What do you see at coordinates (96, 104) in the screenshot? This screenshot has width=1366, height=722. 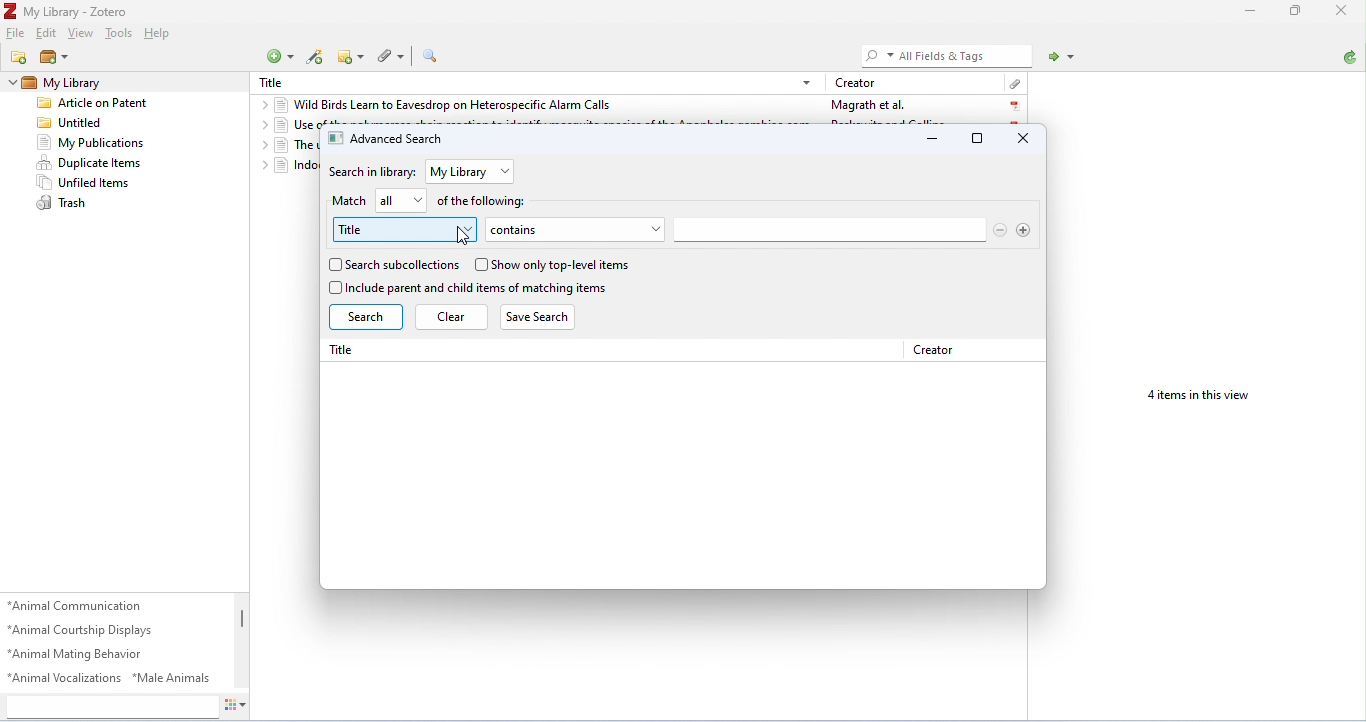 I see `Article on patent` at bounding box center [96, 104].